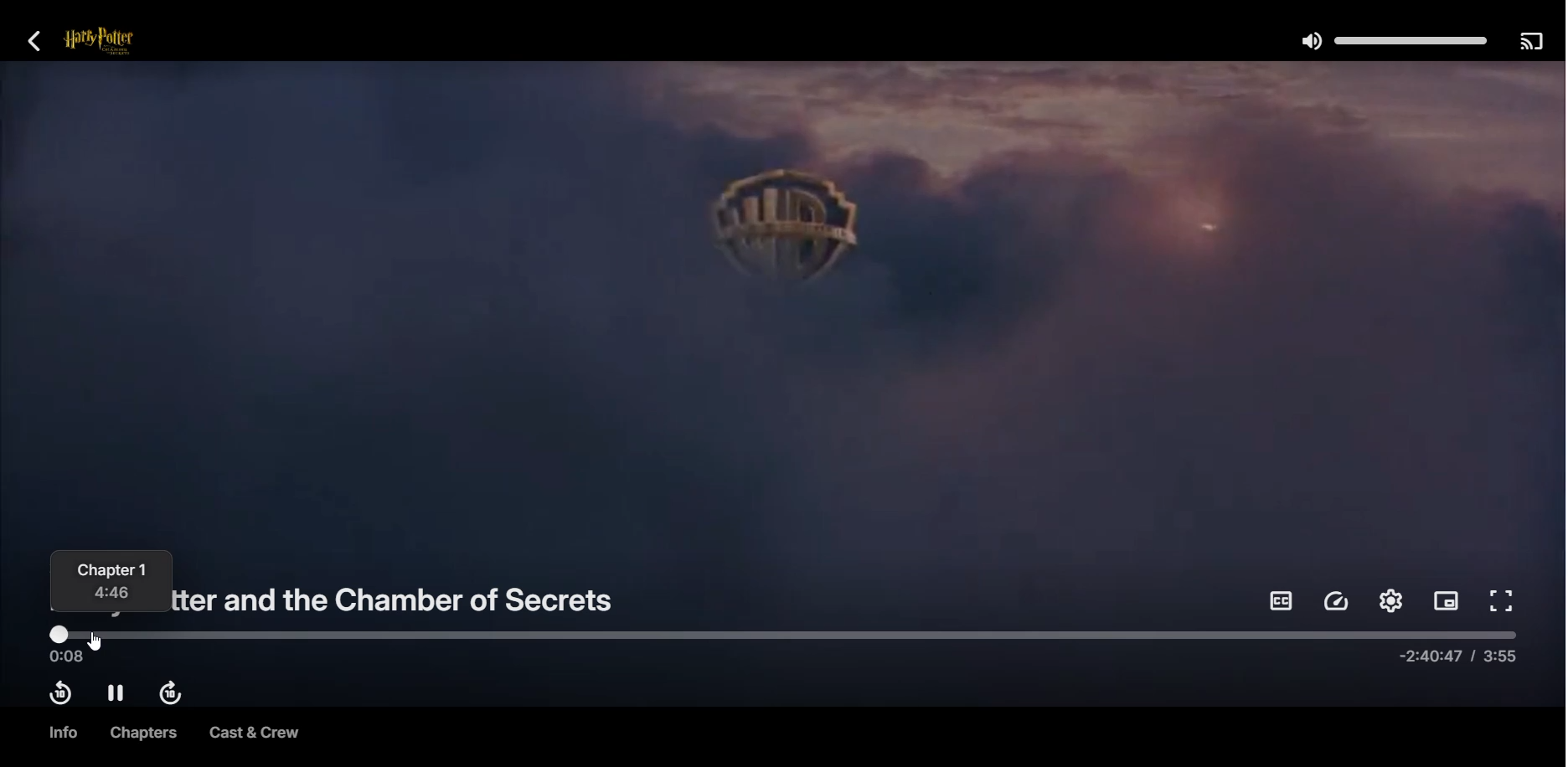  Describe the element at coordinates (174, 695) in the screenshot. I see `Fast-forward` at that location.